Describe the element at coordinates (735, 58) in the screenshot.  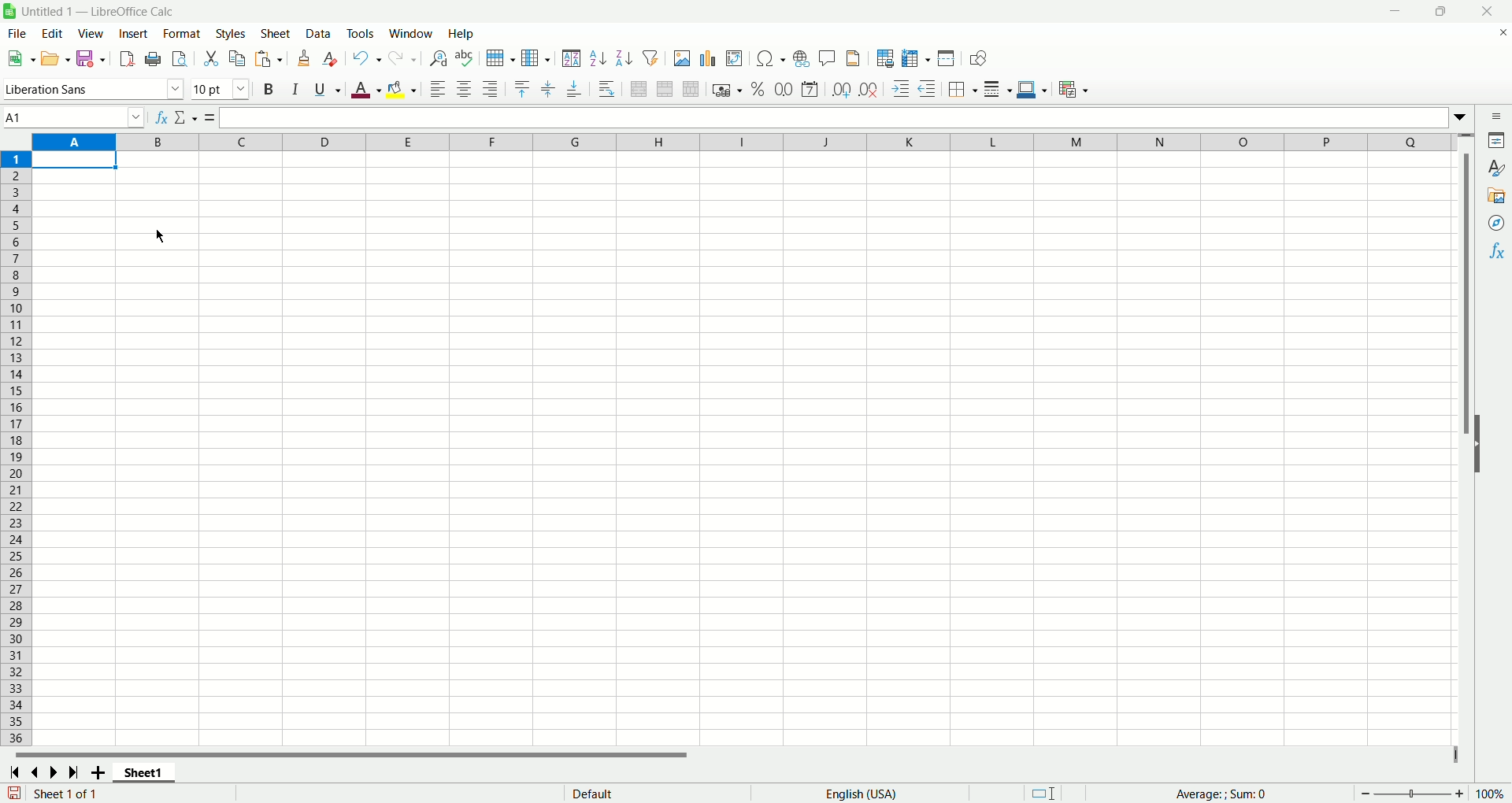
I see `insert pivot table` at that location.